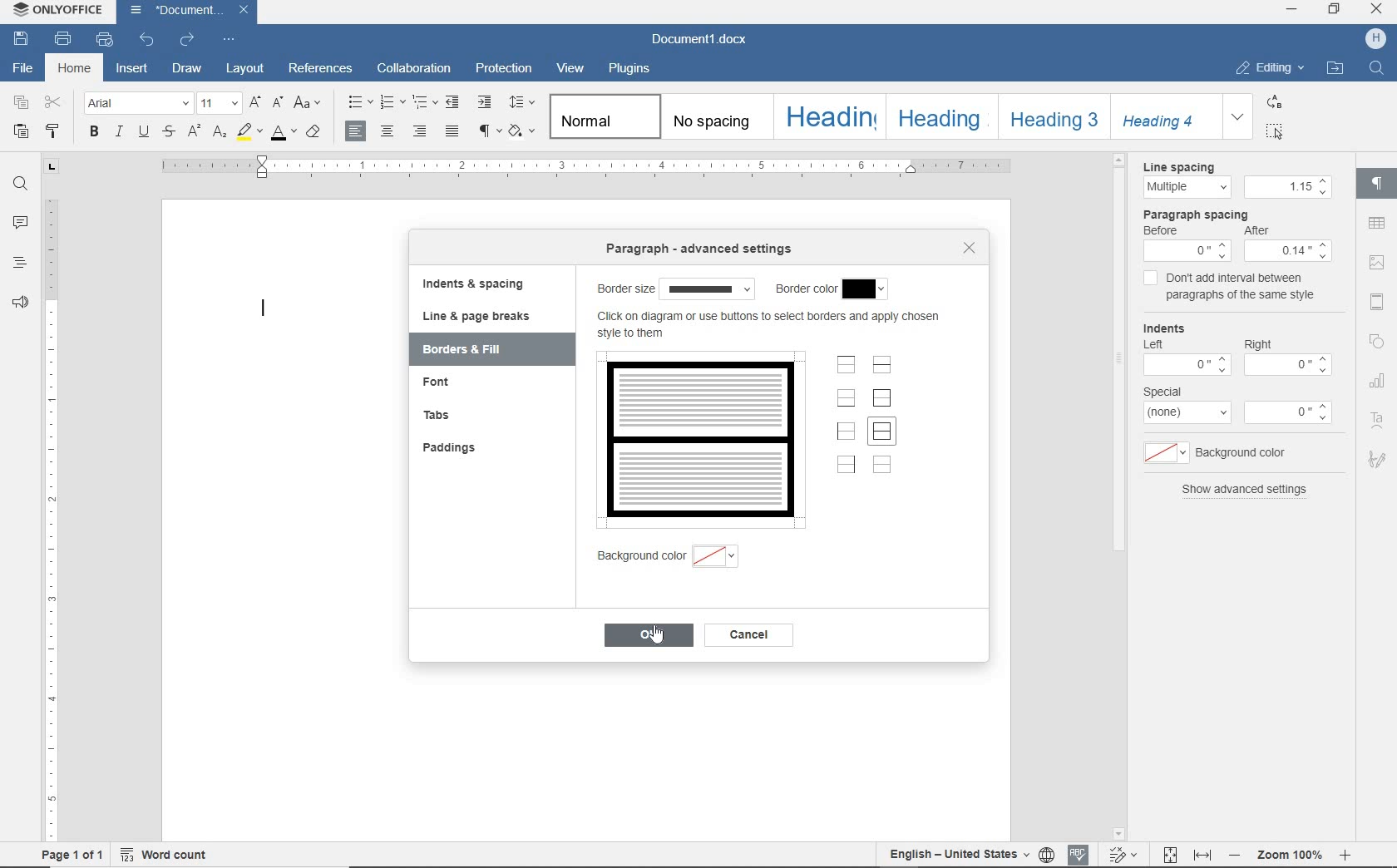  I want to click on Line spacing:Multipe - 1.15, so click(1232, 181).